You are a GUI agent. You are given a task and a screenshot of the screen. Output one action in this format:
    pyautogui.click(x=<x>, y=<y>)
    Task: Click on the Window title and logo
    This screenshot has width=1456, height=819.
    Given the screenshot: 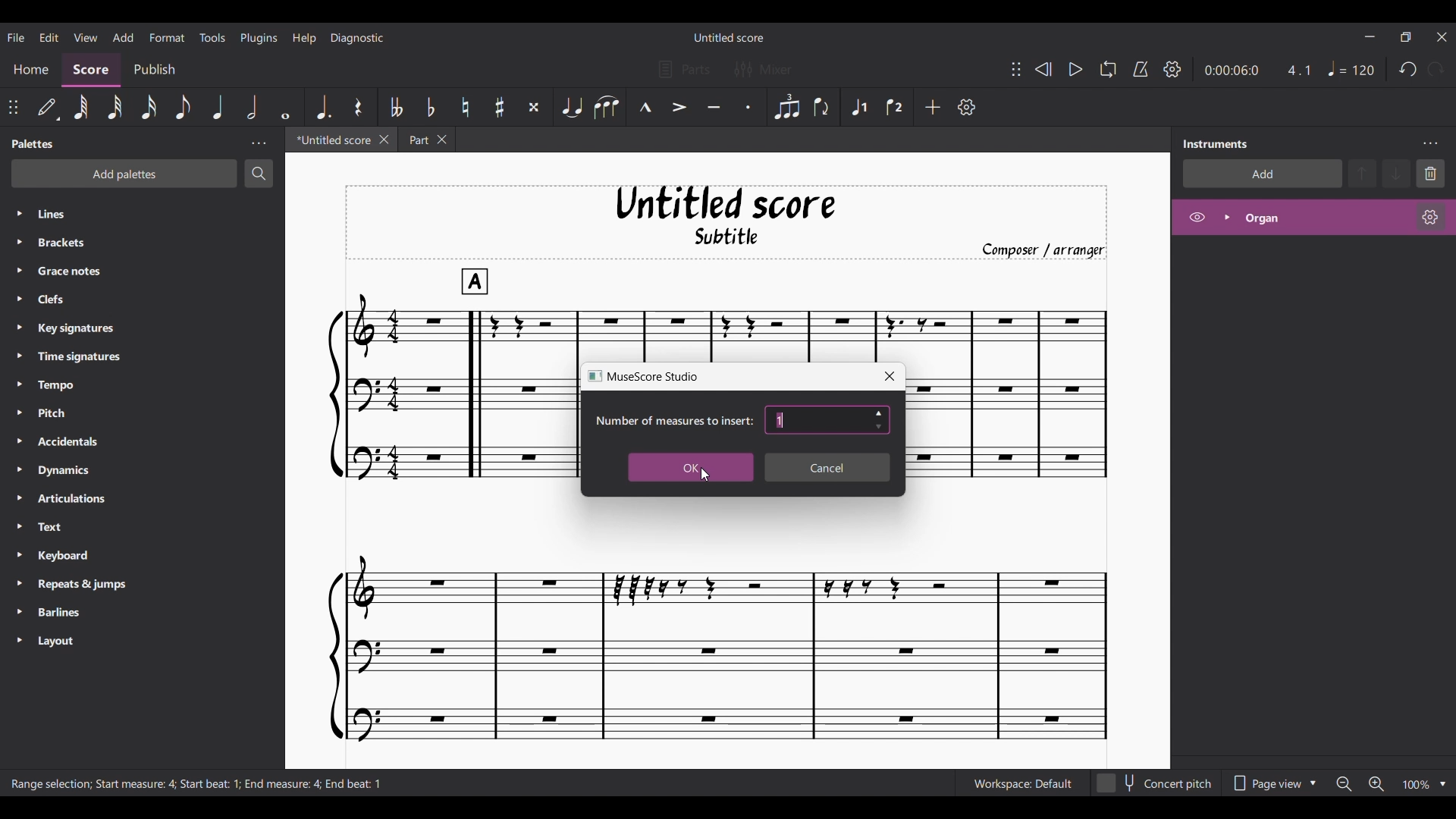 What is the action you would take?
    pyautogui.click(x=643, y=376)
    